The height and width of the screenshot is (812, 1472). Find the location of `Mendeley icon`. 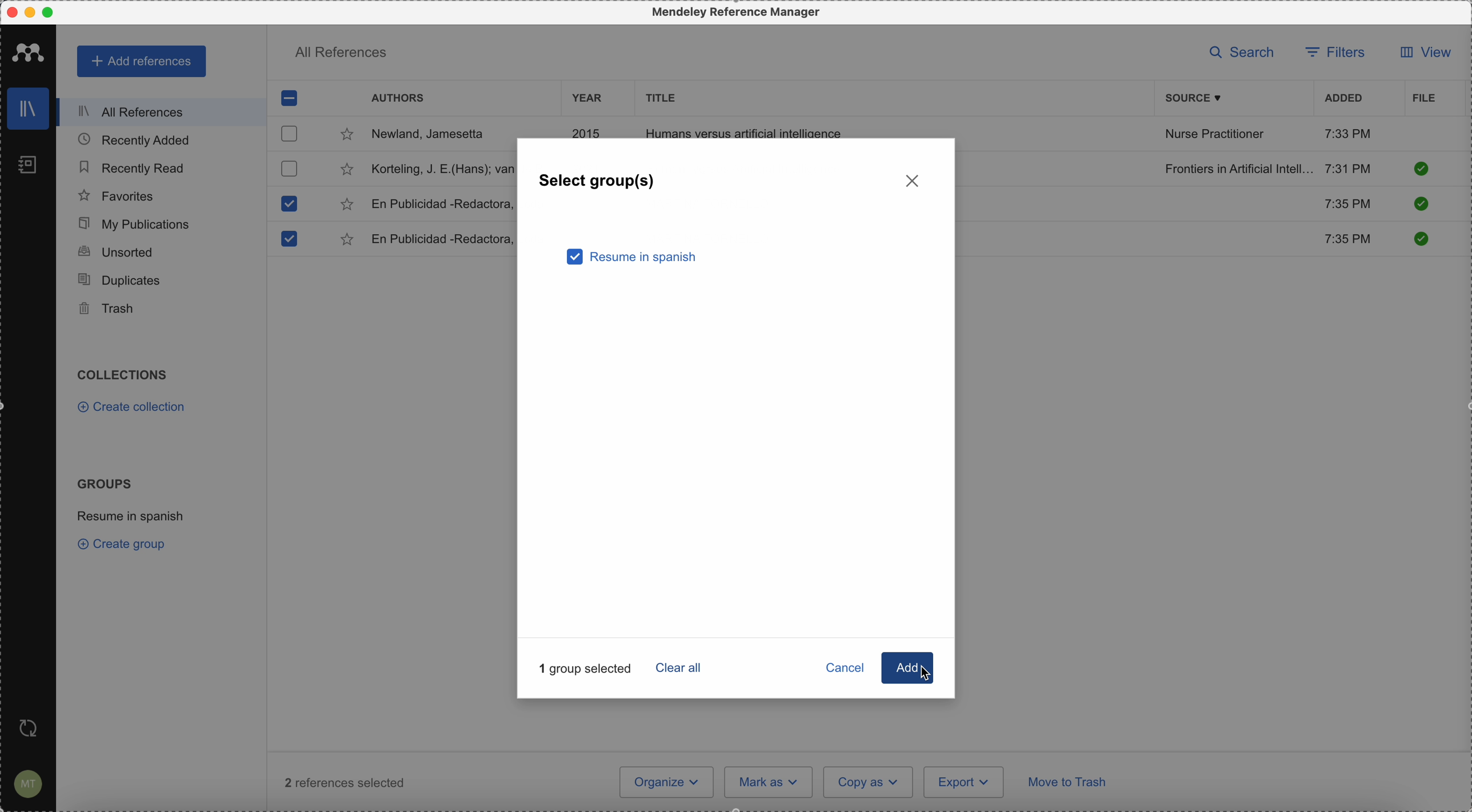

Mendeley icon is located at coordinates (29, 50).